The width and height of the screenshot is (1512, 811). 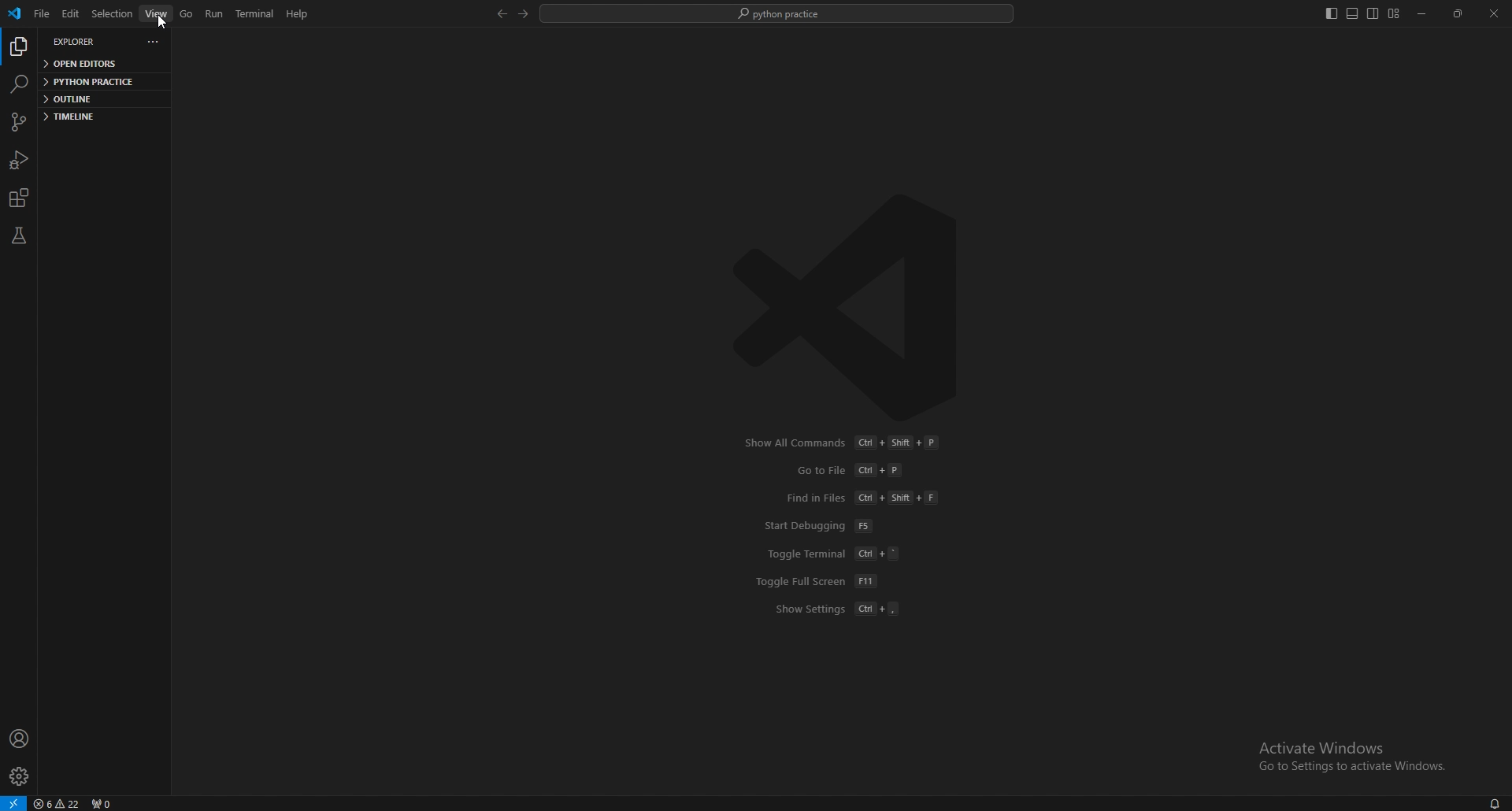 What do you see at coordinates (822, 527) in the screenshot?
I see `start debugging f5` at bounding box center [822, 527].